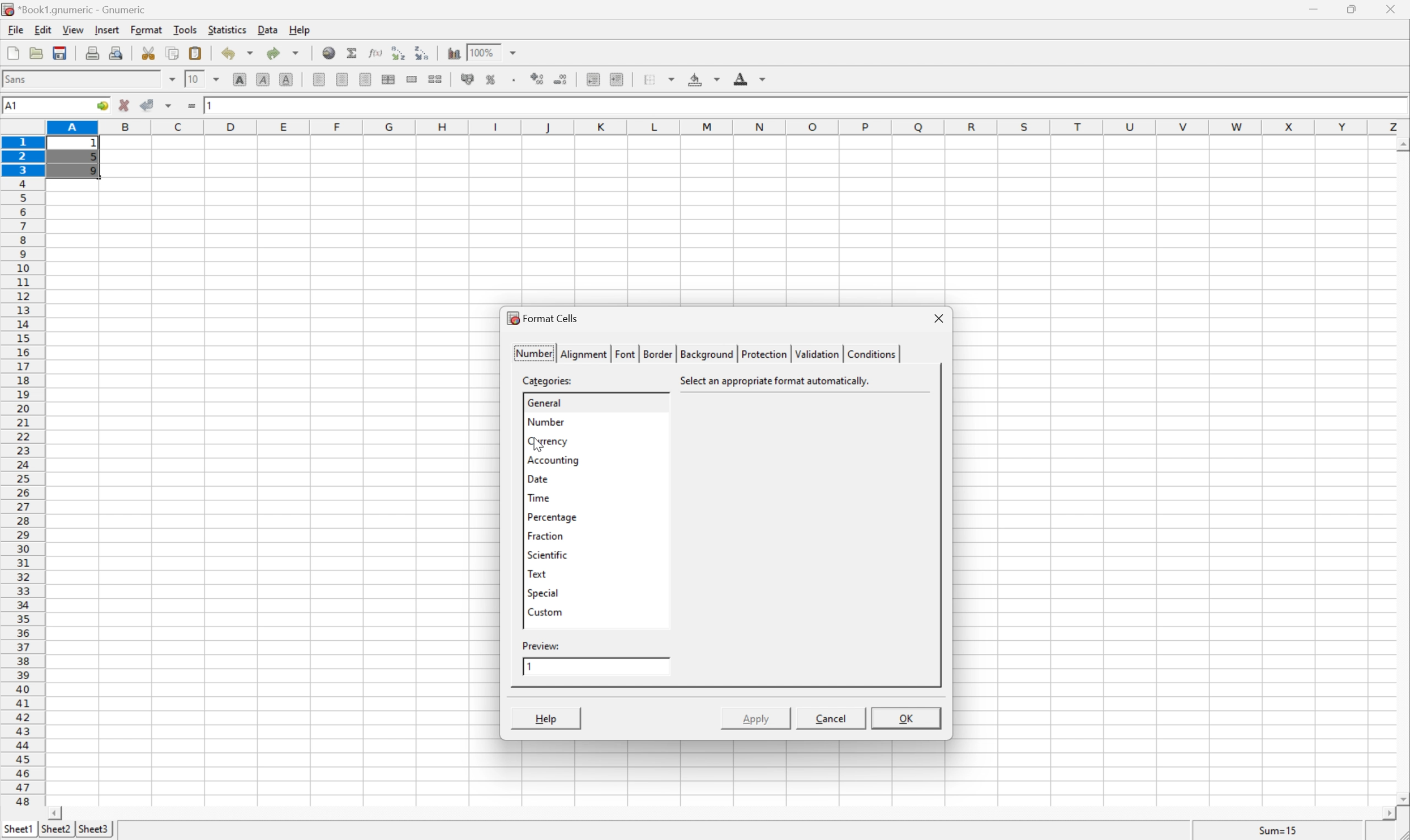 The width and height of the screenshot is (1410, 840). Describe the element at coordinates (14, 106) in the screenshot. I see `A1` at that location.